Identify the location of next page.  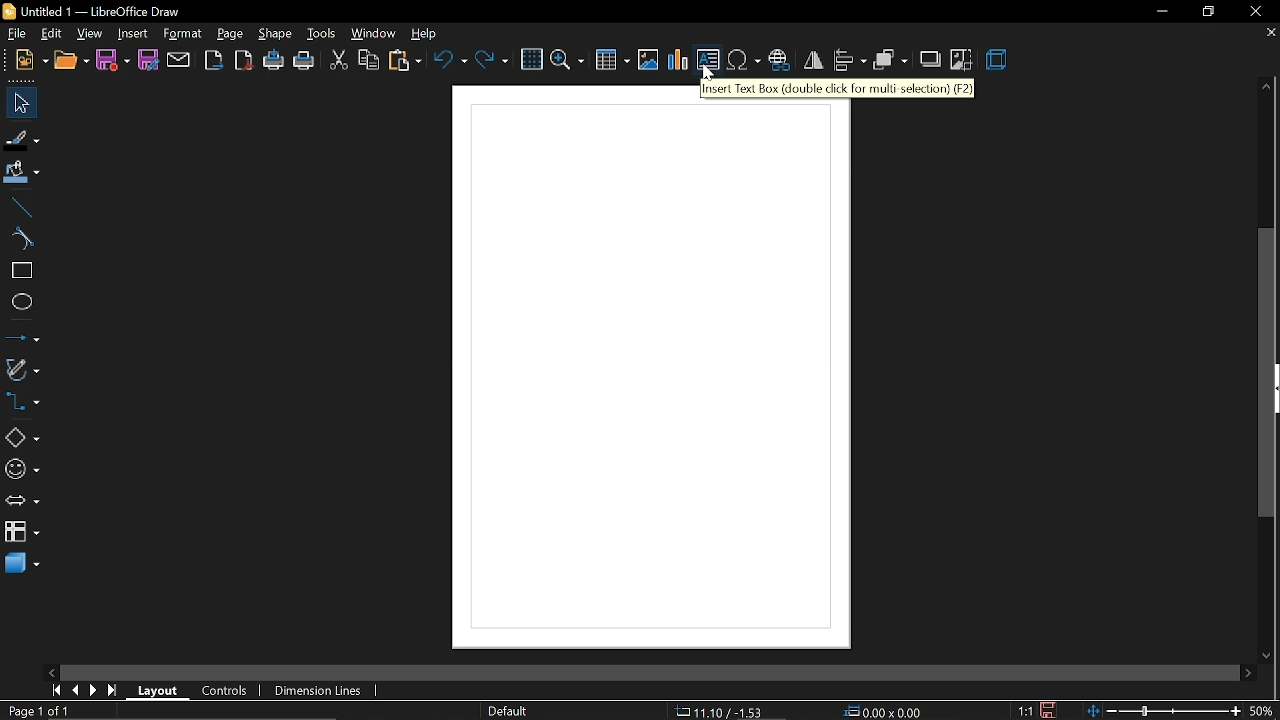
(94, 690).